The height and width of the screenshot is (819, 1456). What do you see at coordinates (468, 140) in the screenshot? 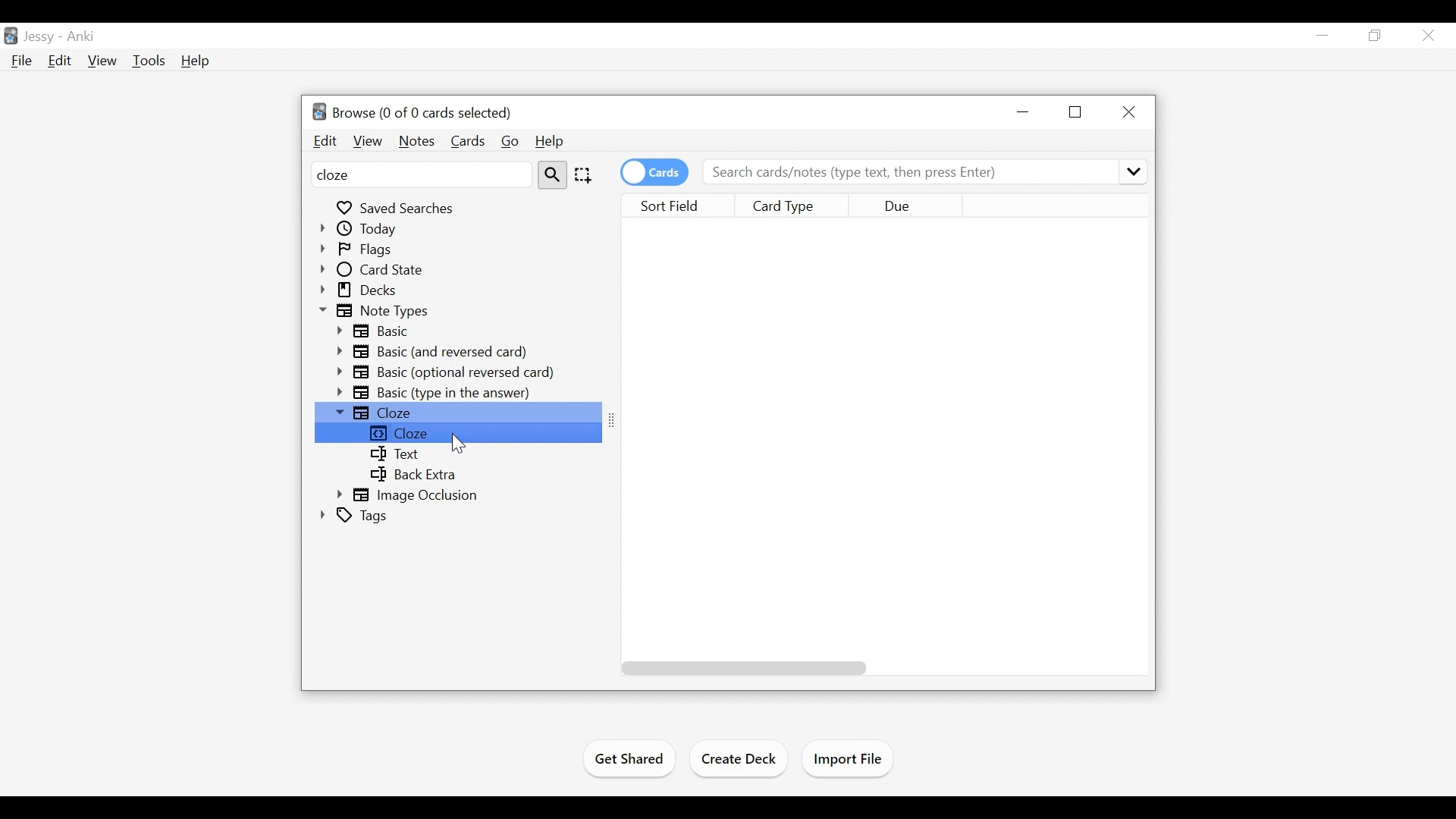
I see `Cards` at bounding box center [468, 140].